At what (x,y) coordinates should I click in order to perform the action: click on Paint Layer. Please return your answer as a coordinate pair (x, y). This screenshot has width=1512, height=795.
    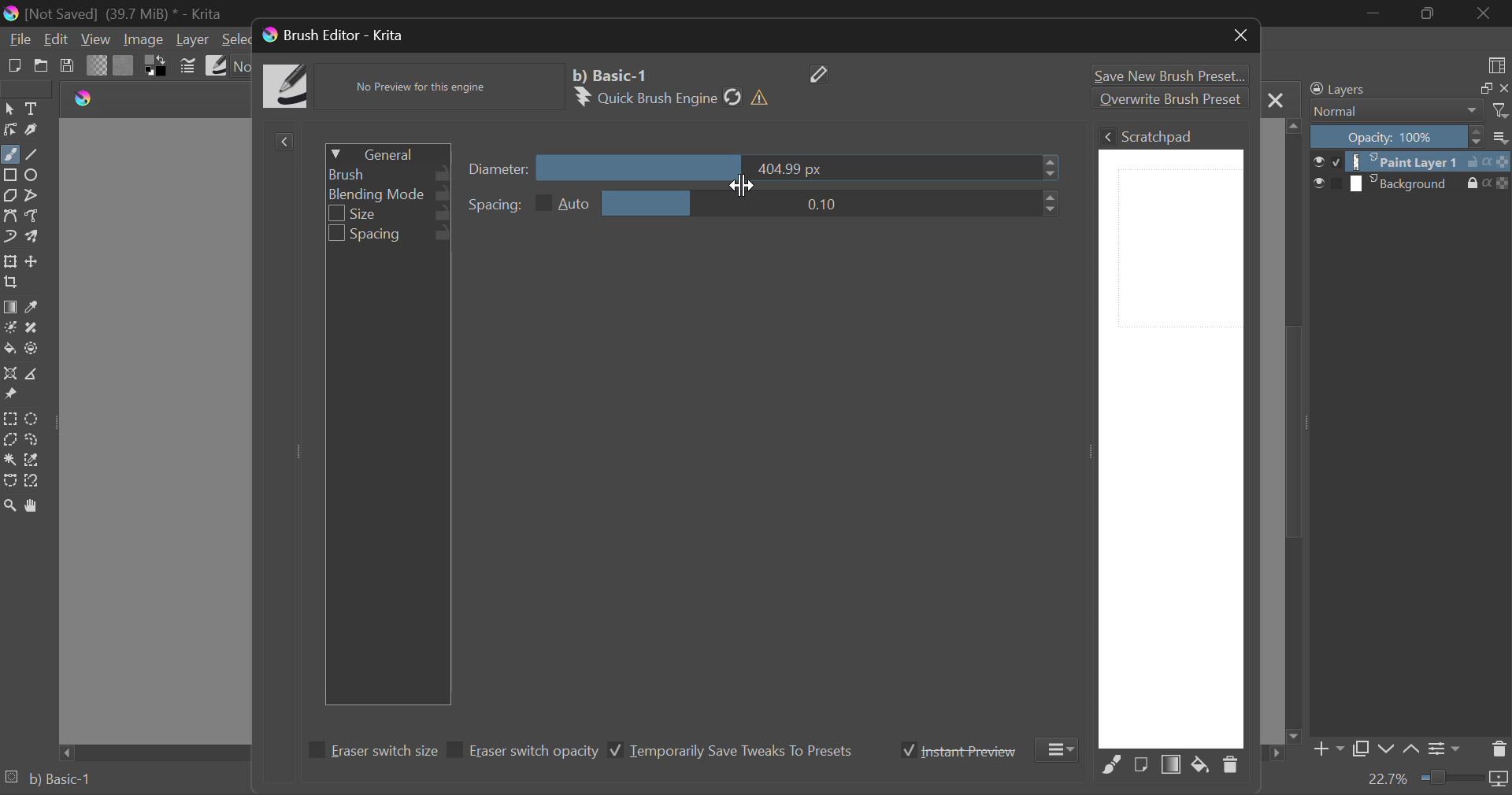
    Looking at the image, I should click on (1412, 161).